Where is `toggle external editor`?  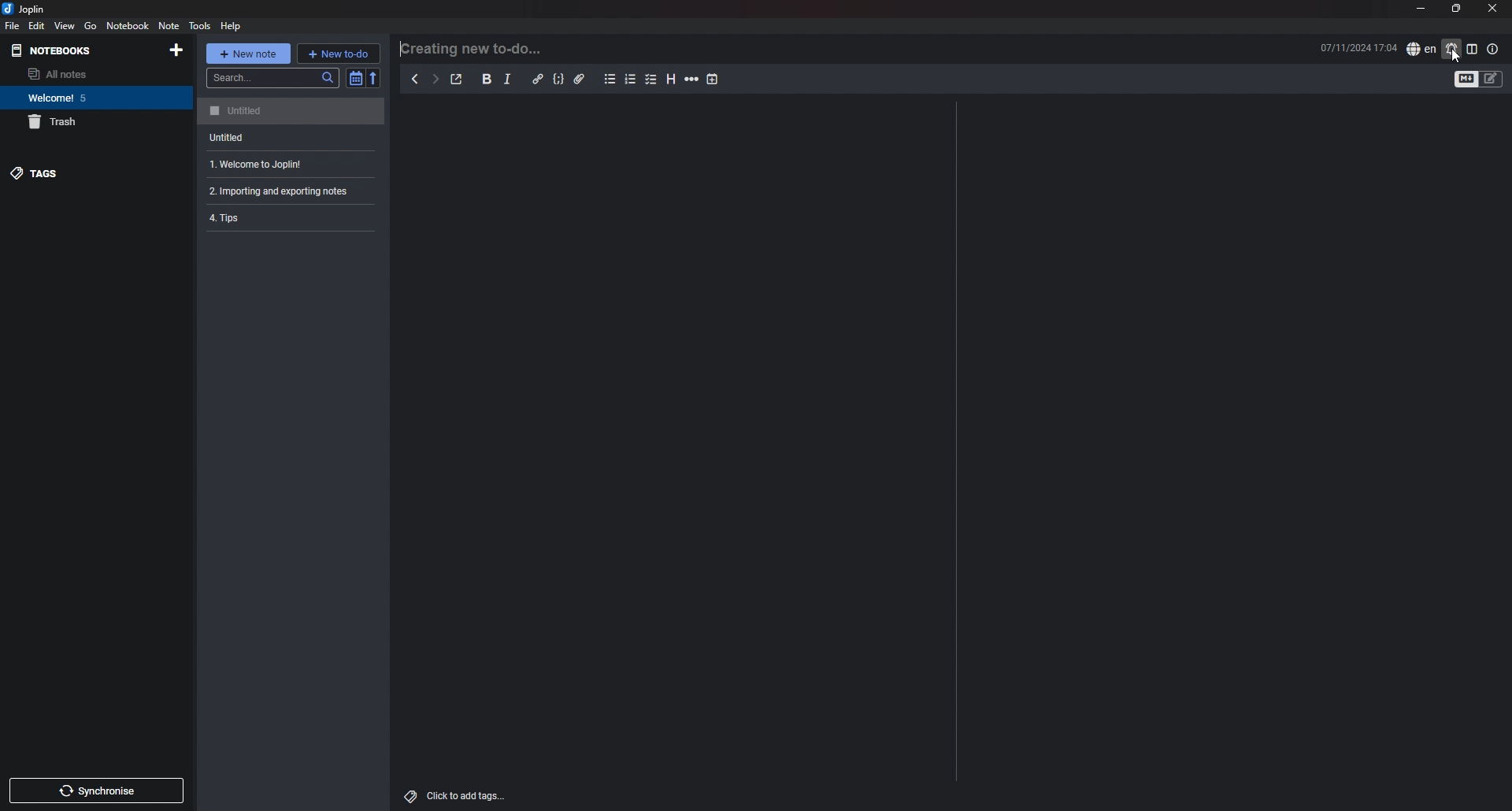 toggle external editor is located at coordinates (458, 80).